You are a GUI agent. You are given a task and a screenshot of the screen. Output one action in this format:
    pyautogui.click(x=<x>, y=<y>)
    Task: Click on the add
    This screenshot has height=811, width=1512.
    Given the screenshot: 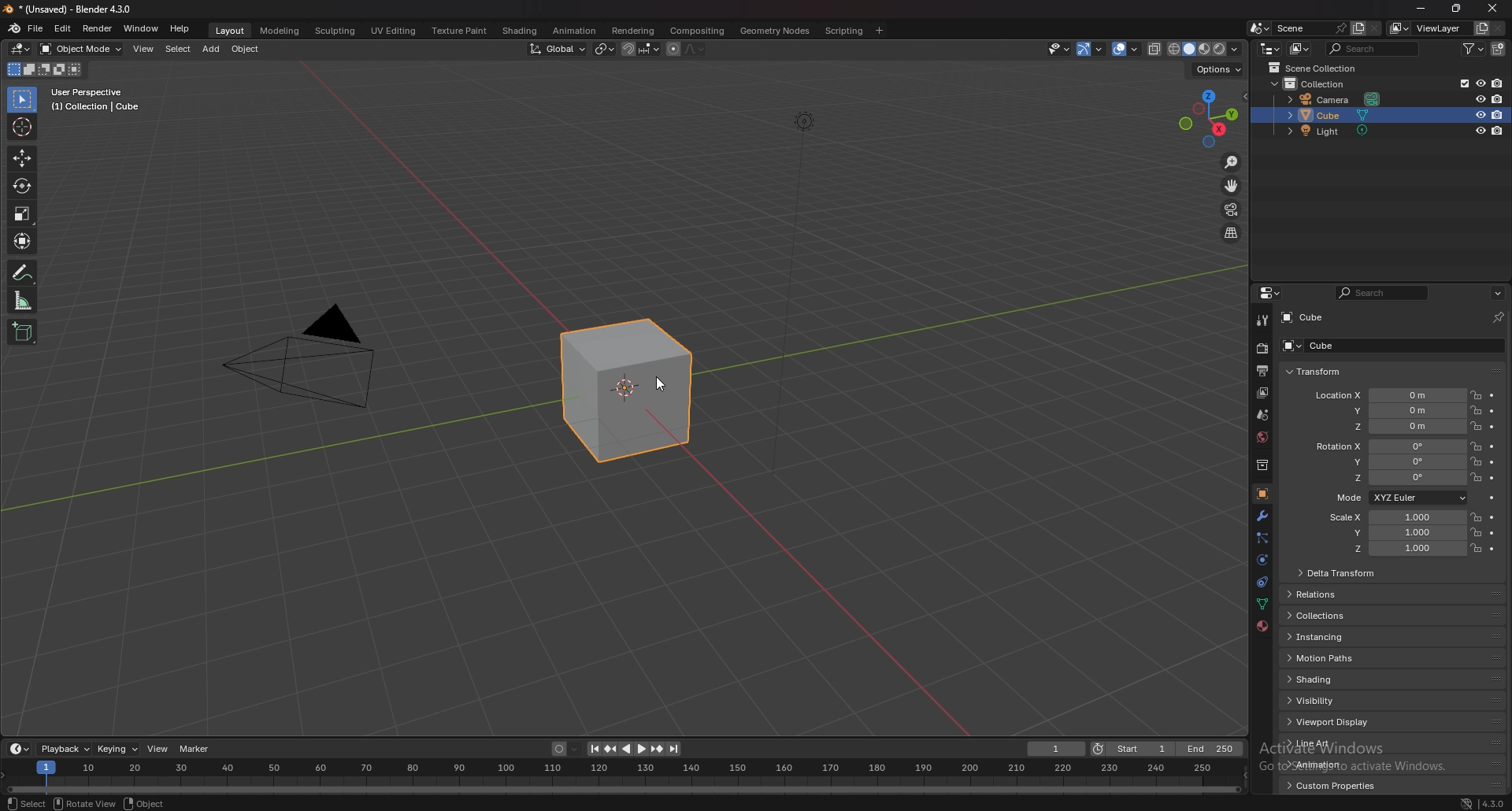 What is the action you would take?
    pyautogui.click(x=211, y=49)
    